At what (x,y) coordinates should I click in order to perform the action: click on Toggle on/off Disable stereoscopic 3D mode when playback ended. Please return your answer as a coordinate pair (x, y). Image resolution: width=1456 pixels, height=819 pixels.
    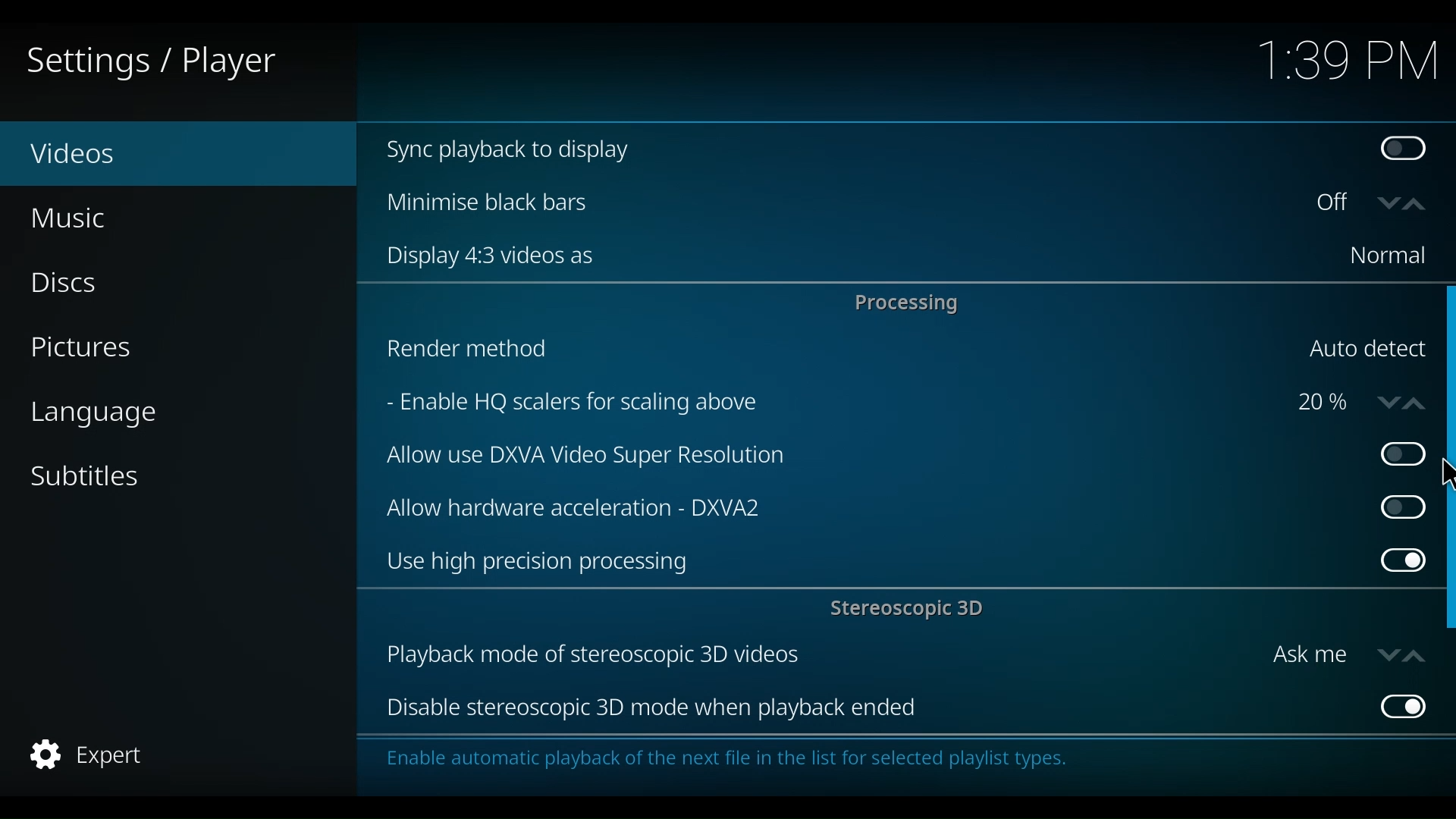
    Looking at the image, I should click on (1400, 705).